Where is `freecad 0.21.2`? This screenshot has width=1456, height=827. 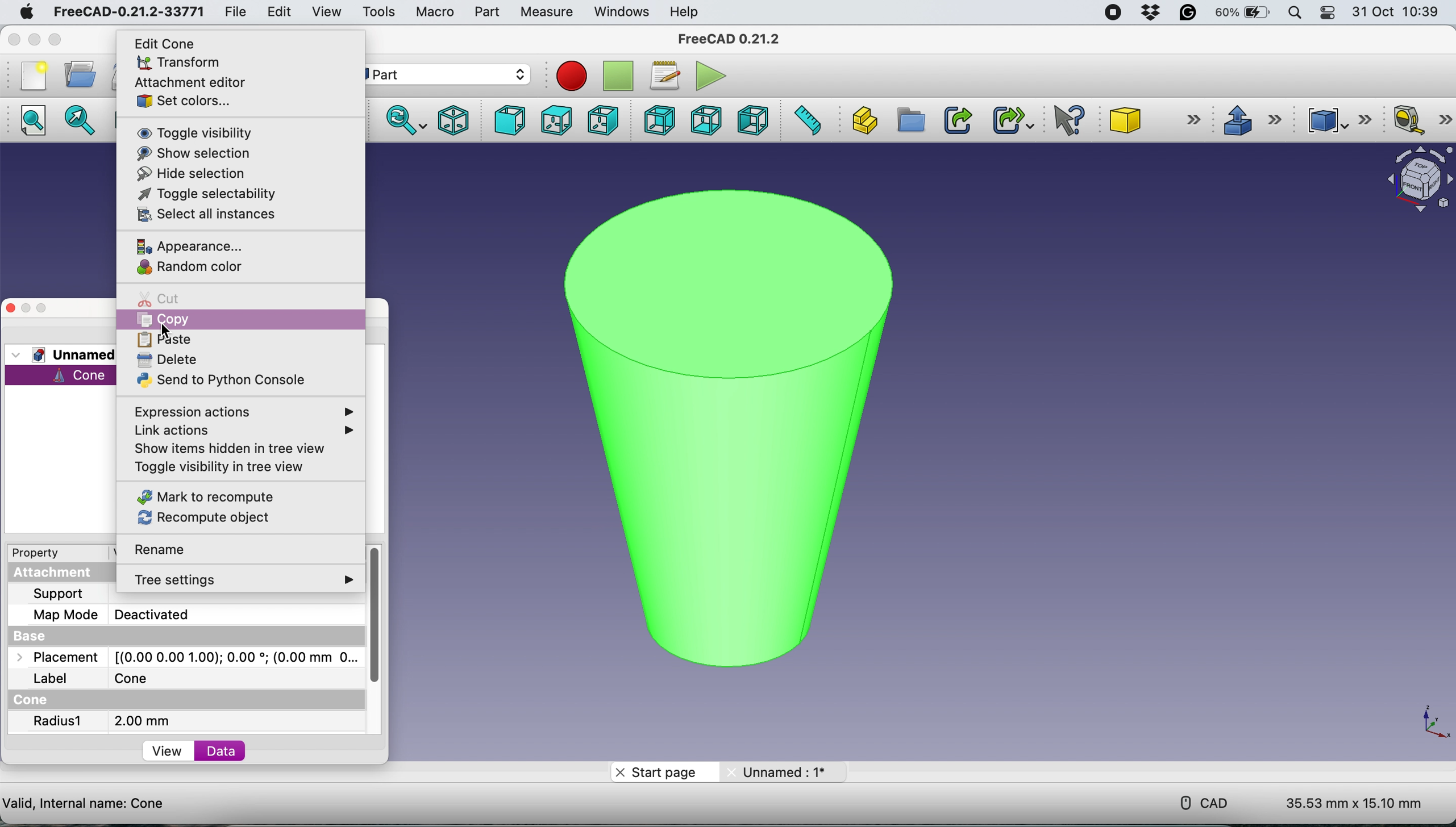 freecad 0.21.2 is located at coordinates (726, 39).